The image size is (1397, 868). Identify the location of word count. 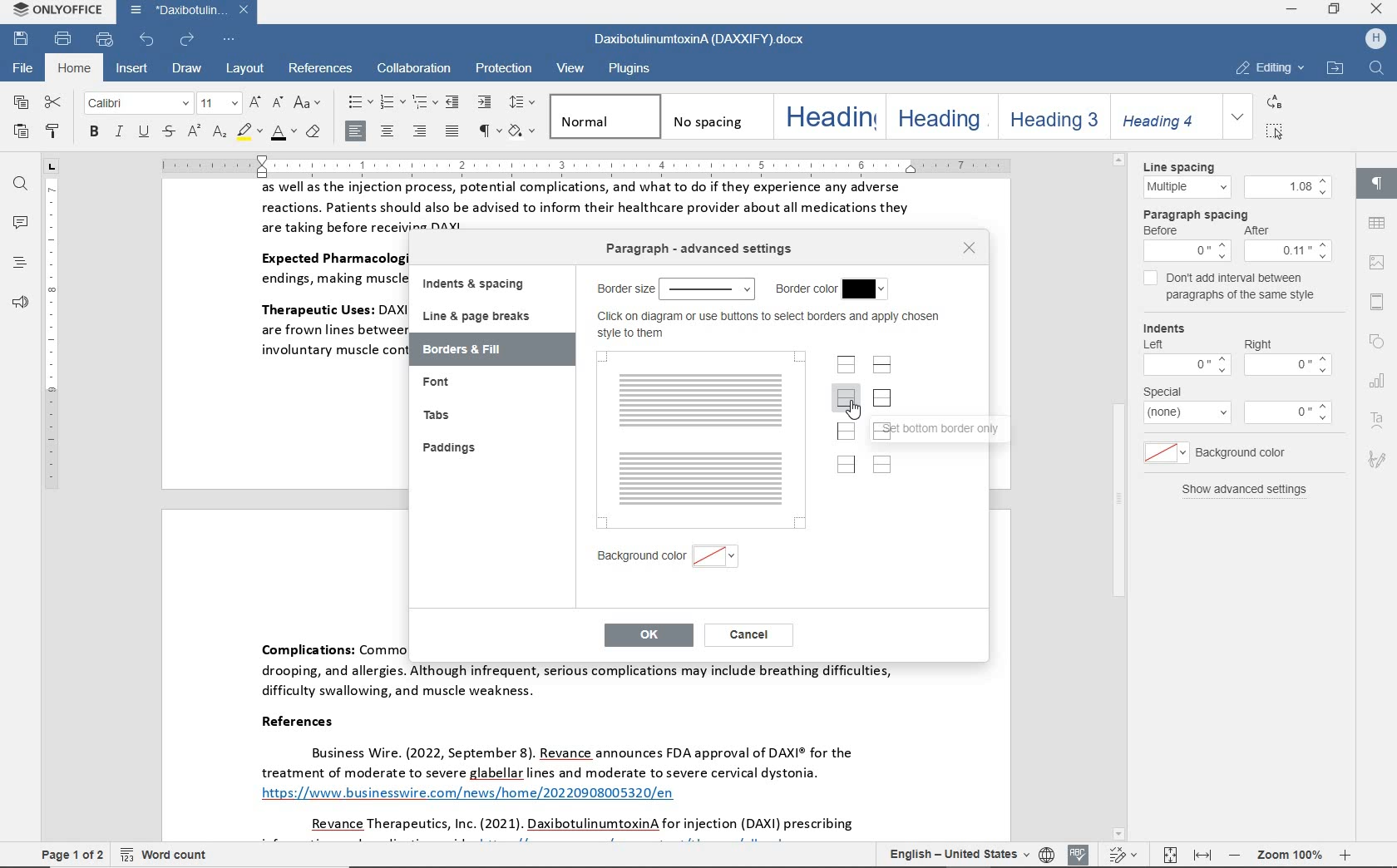
(167, 853).